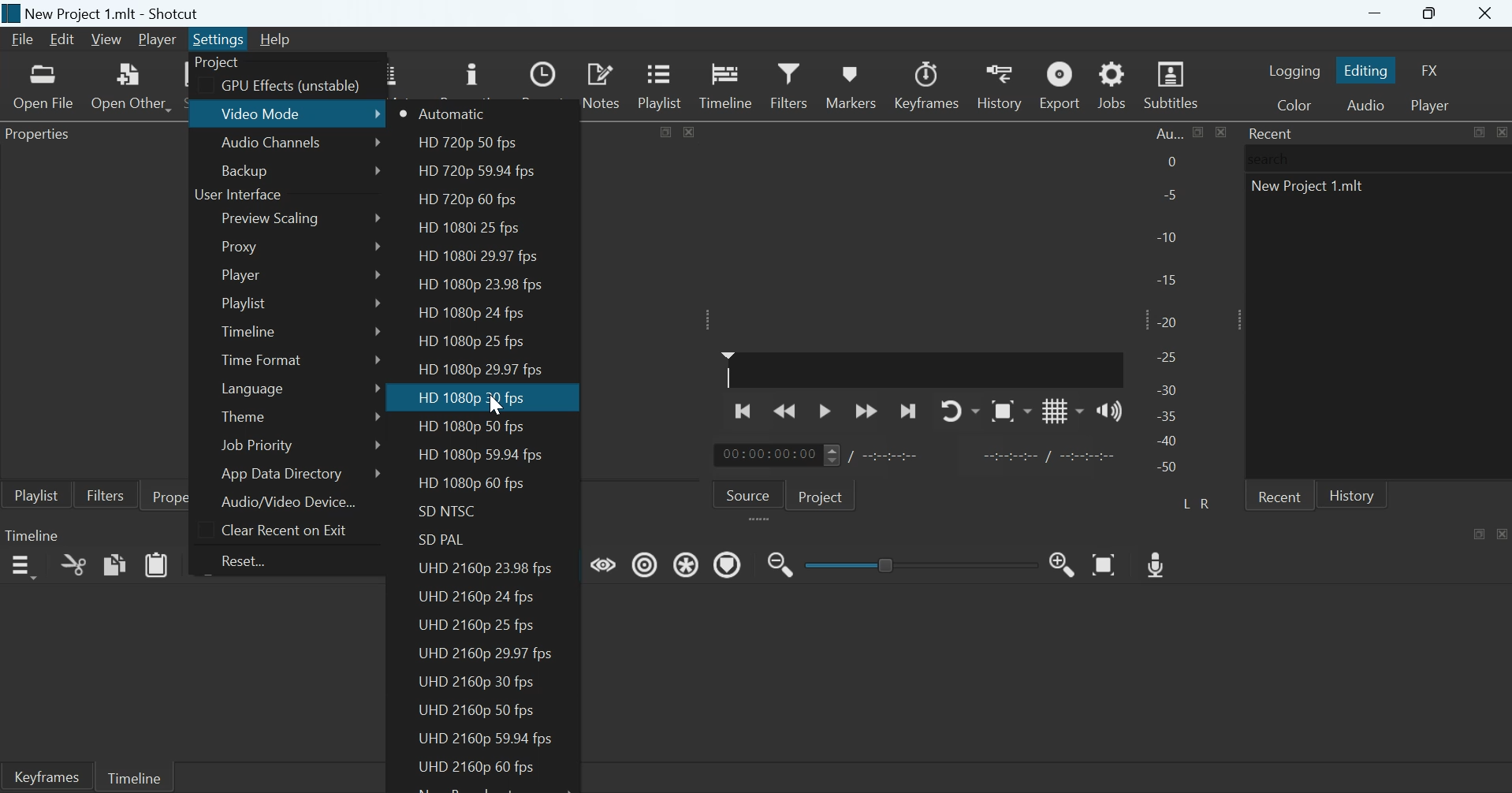 The height and width of the screenshot is (793, 1512). I want to click on zoom timeline out, so click(780, 563).